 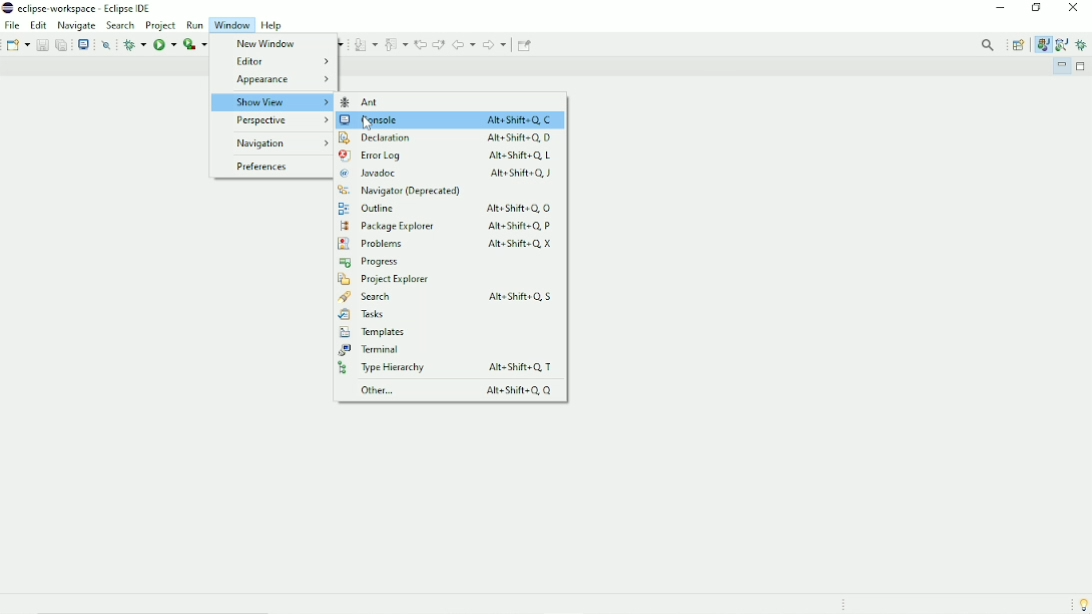 I want to click on Console, so click(x=445, y=121).